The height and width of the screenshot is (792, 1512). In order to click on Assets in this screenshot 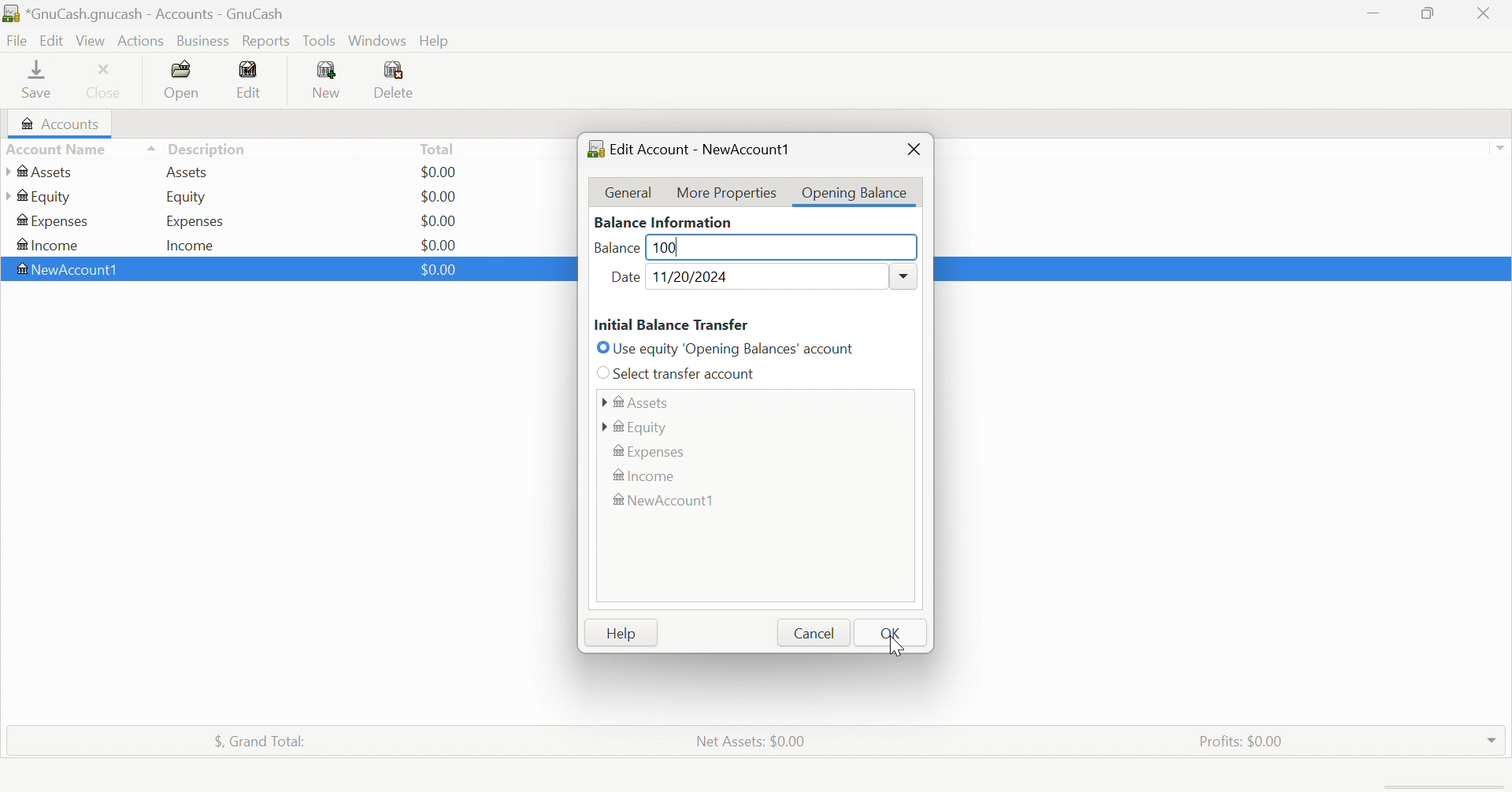, I will do `click(193, 172)`.